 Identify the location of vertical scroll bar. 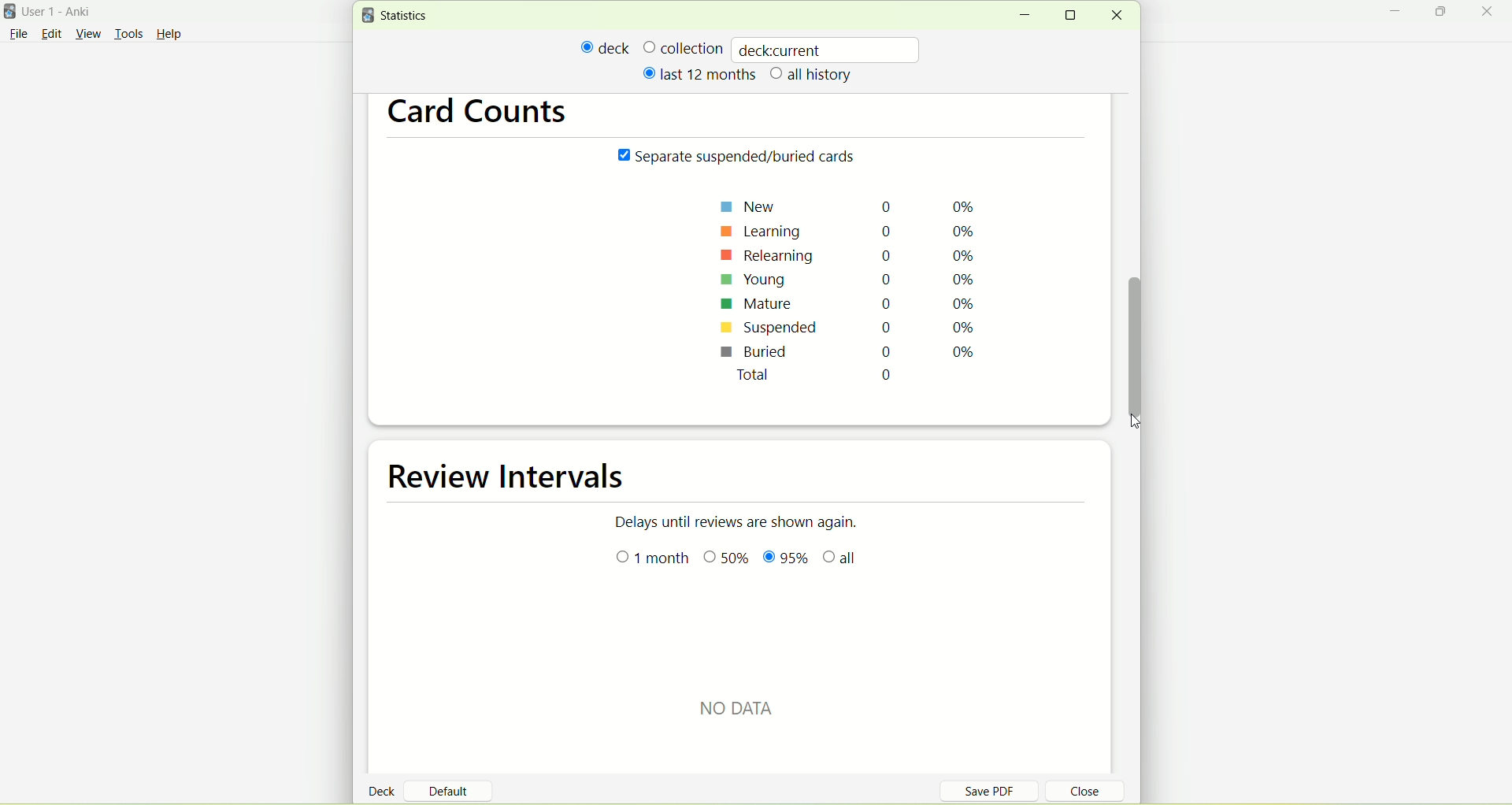
(1138, 342).